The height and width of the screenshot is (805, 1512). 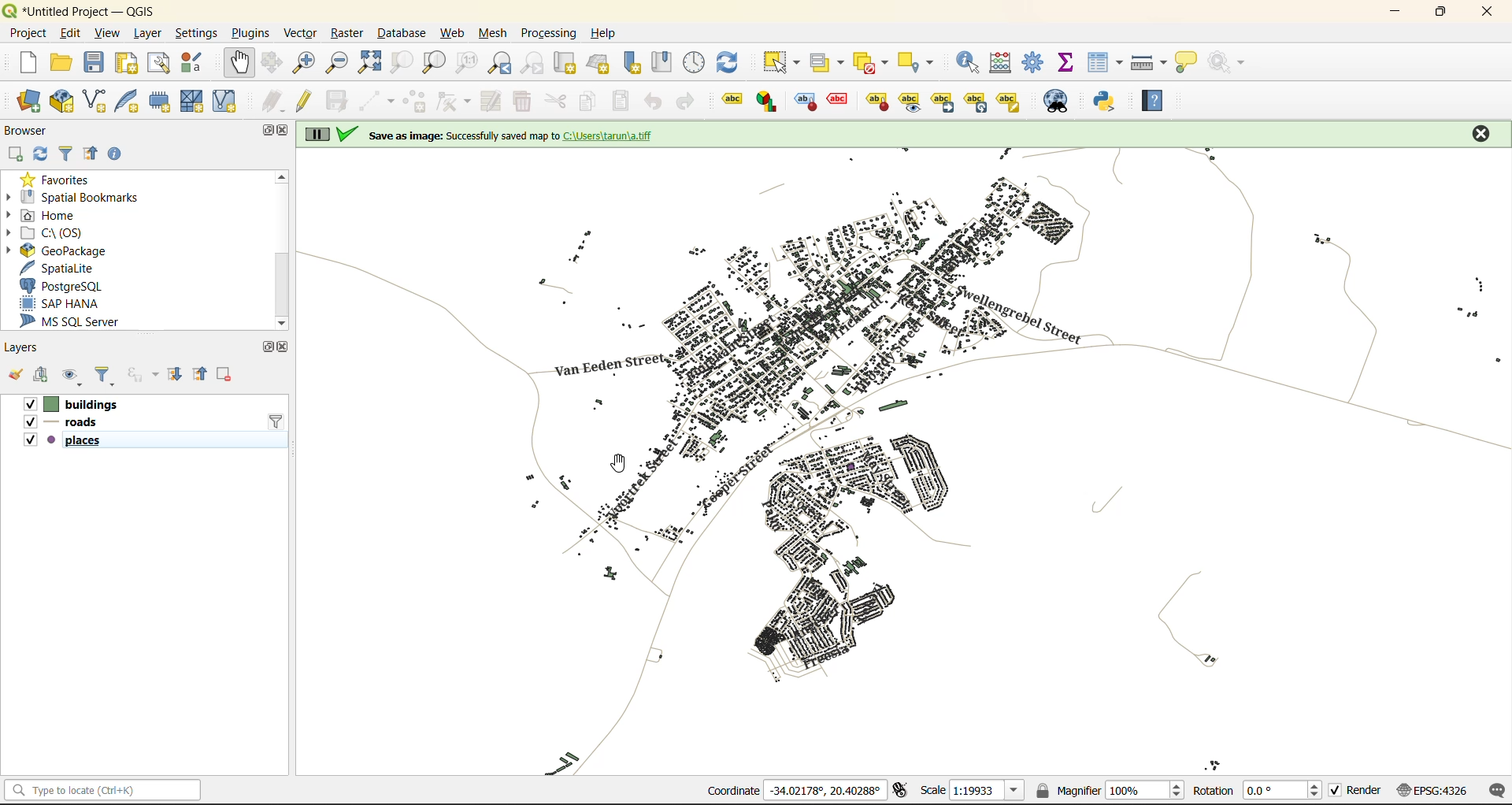 What do you see at coordinates (802, 101) in the screenshot?
I see ` toggle display` at bounding box center [802, 101].